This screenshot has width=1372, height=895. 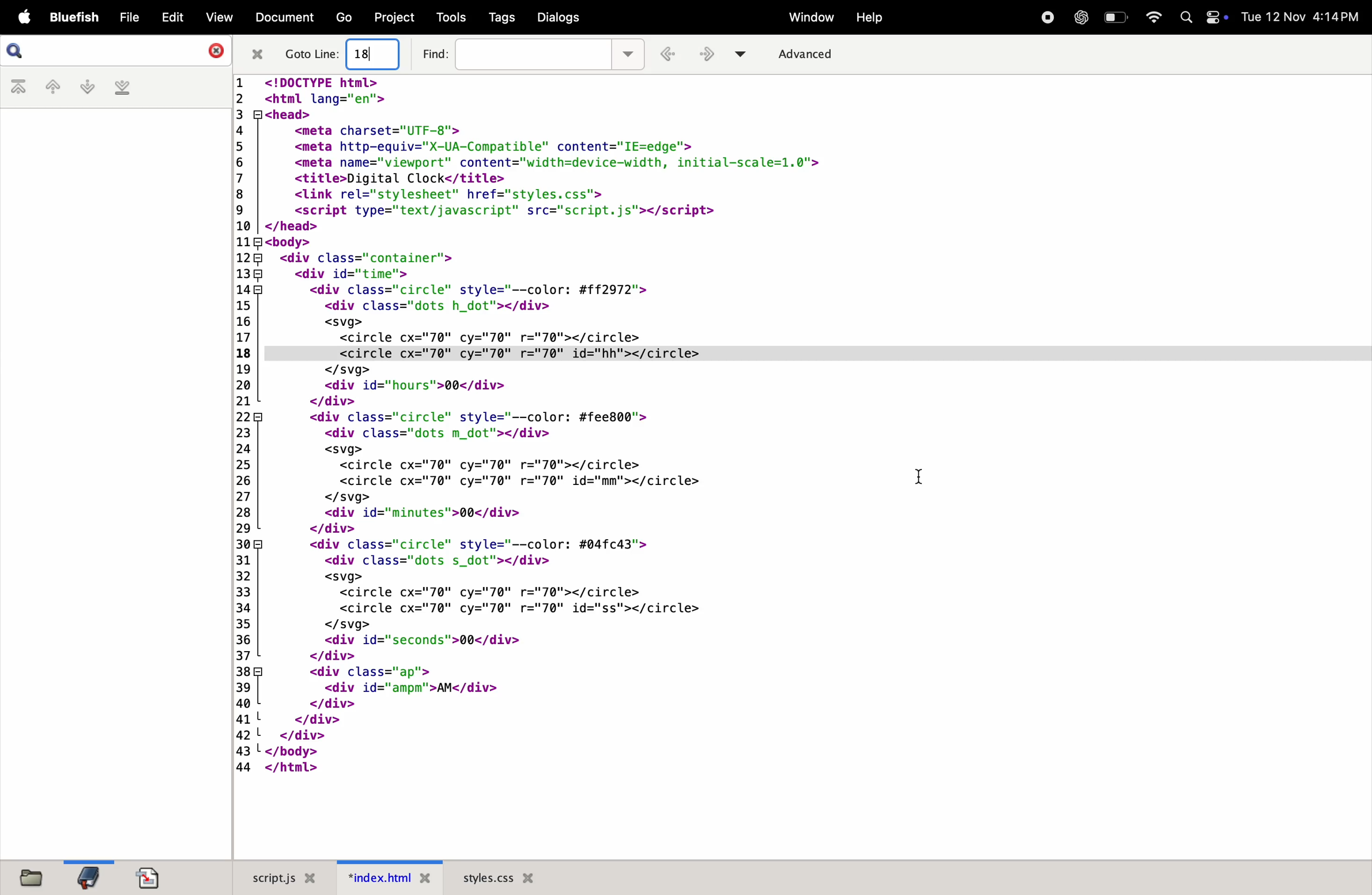 I want to click on backward, so click(x=671, y=55).